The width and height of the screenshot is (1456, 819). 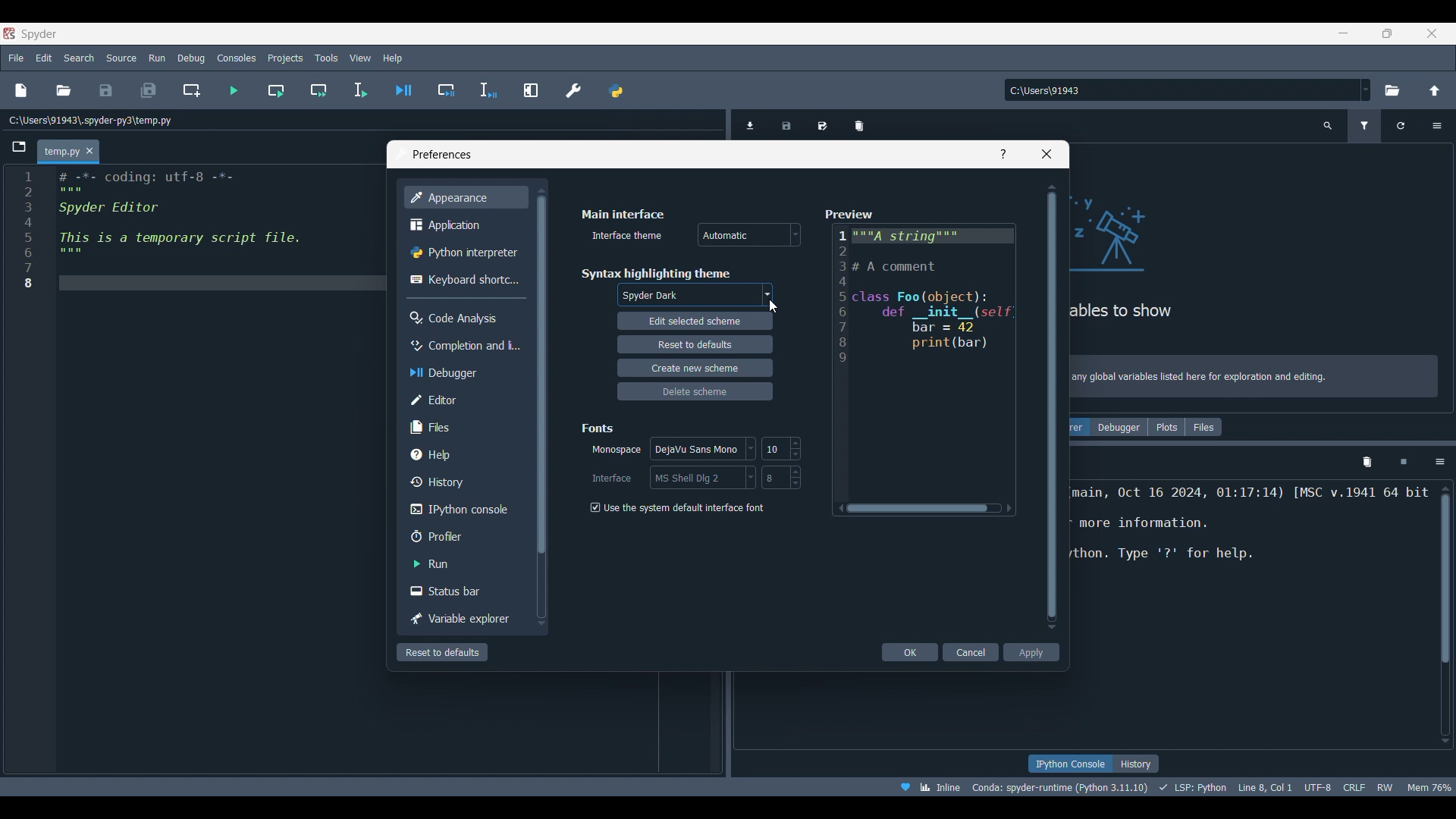 I want to click on Software logo, so click(x=39, y=34).